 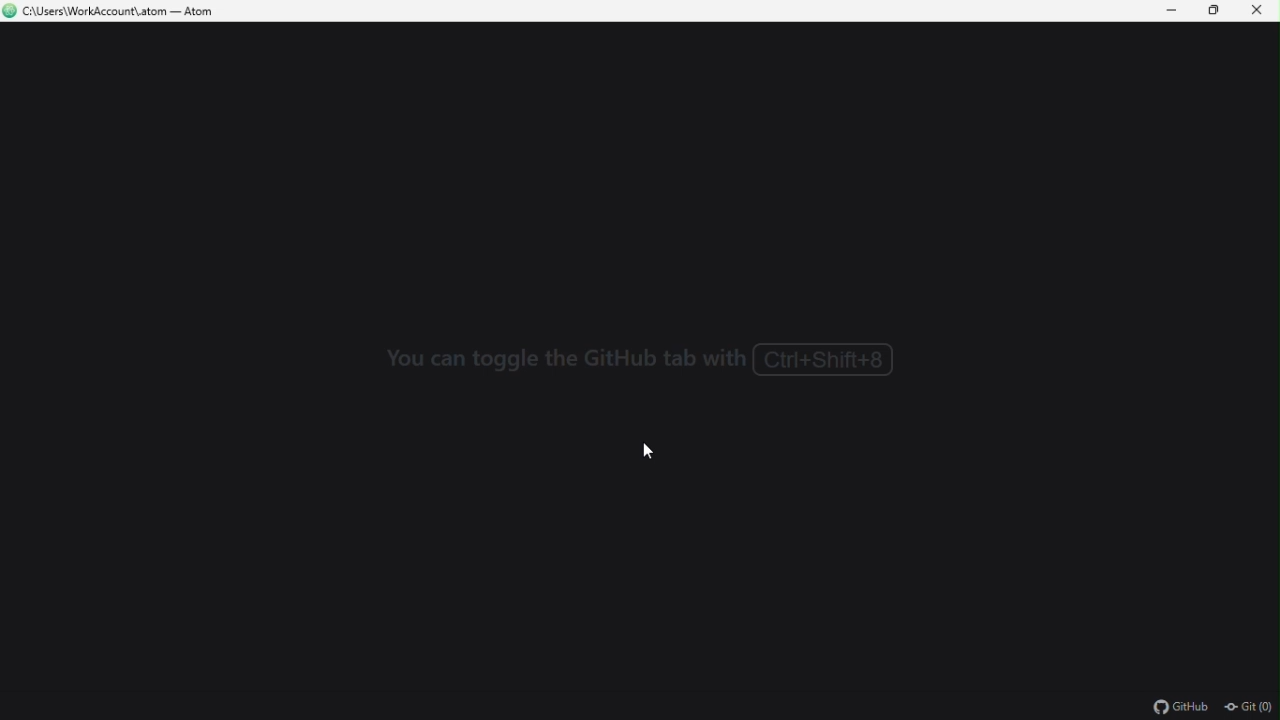 I want to click on text, so click(x=646, y=362).